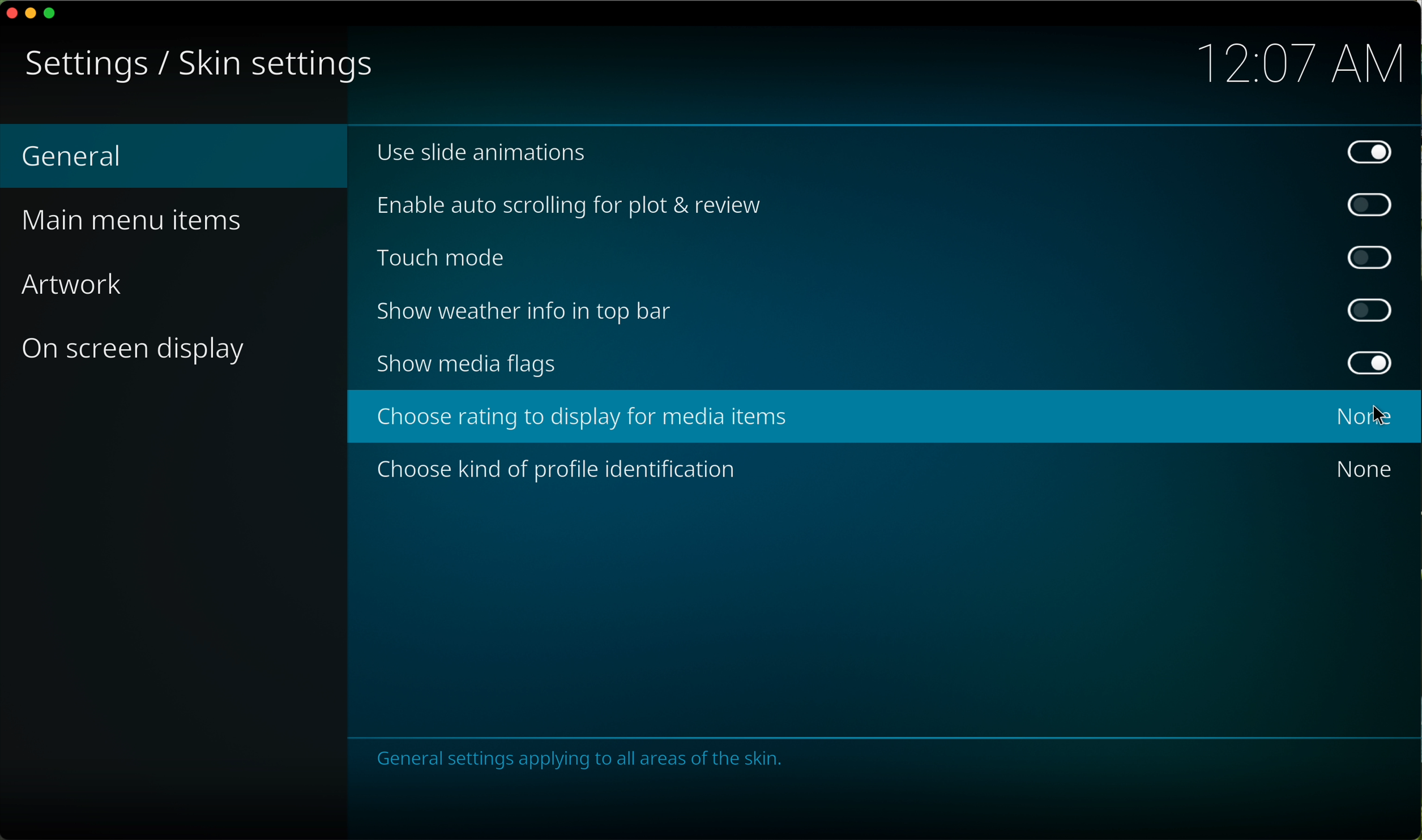  I want to click on skin settings, so click(194, 63).